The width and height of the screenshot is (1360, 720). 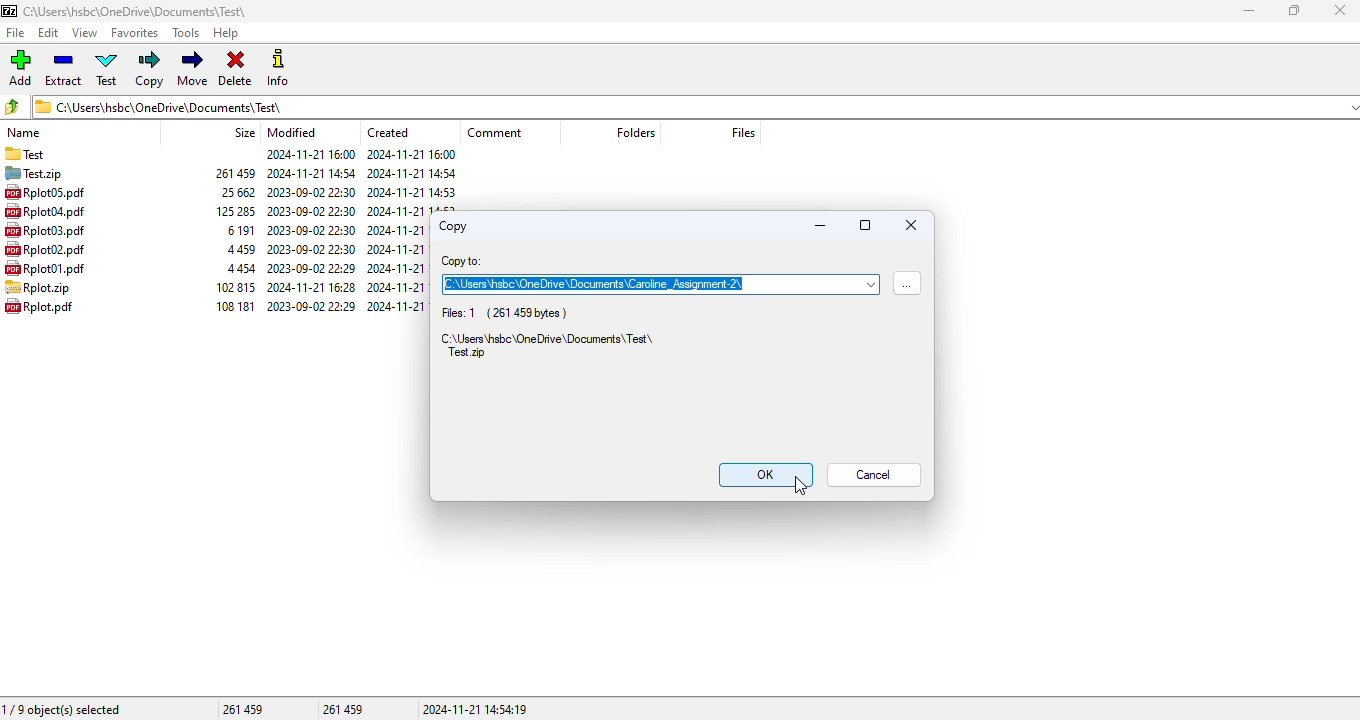 What do you see at coordinates (10, 11) in the screenshot?
I see `logo` at bounding box center [10, 11].